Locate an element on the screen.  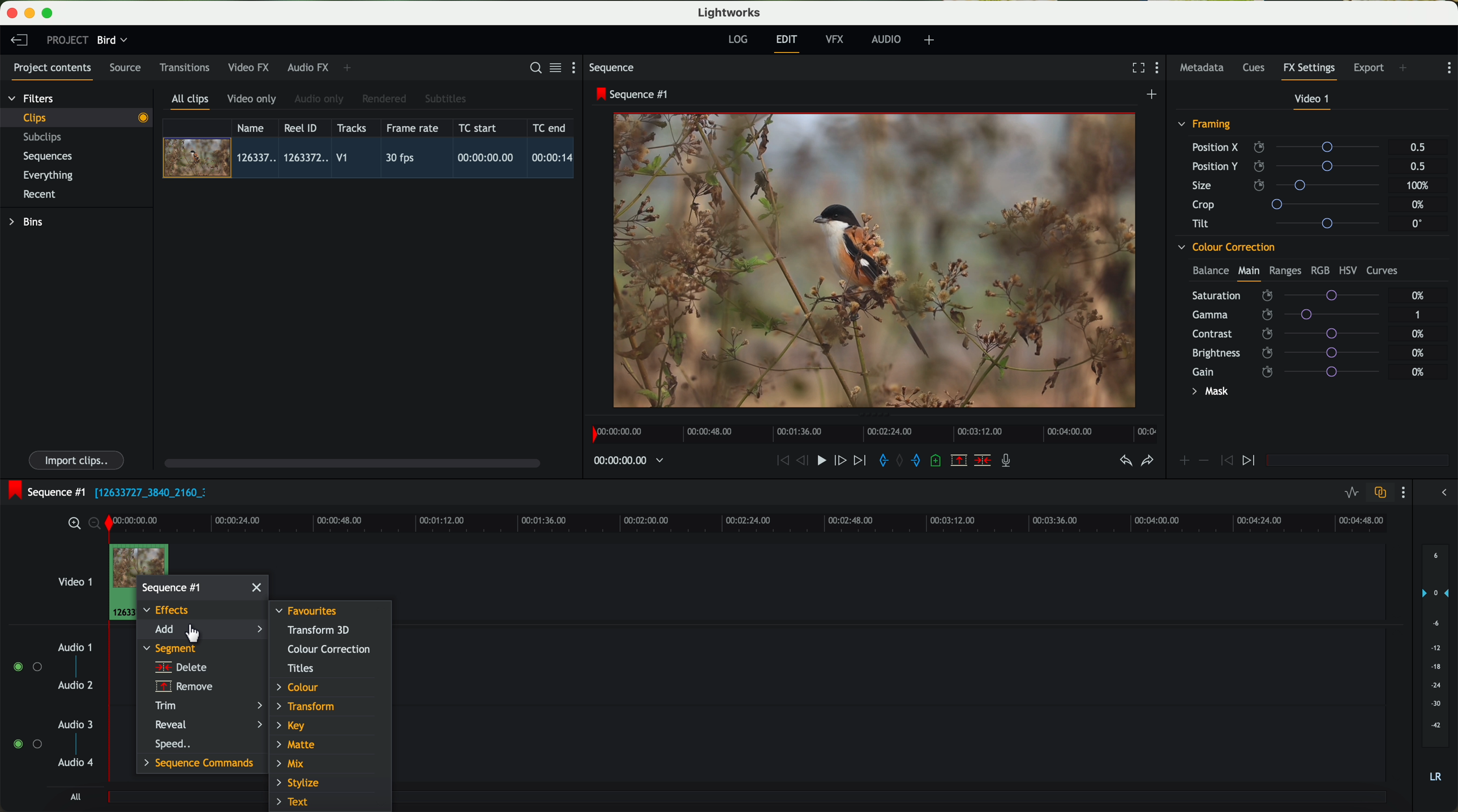
fx settings is located at coordinates (1309, 71).